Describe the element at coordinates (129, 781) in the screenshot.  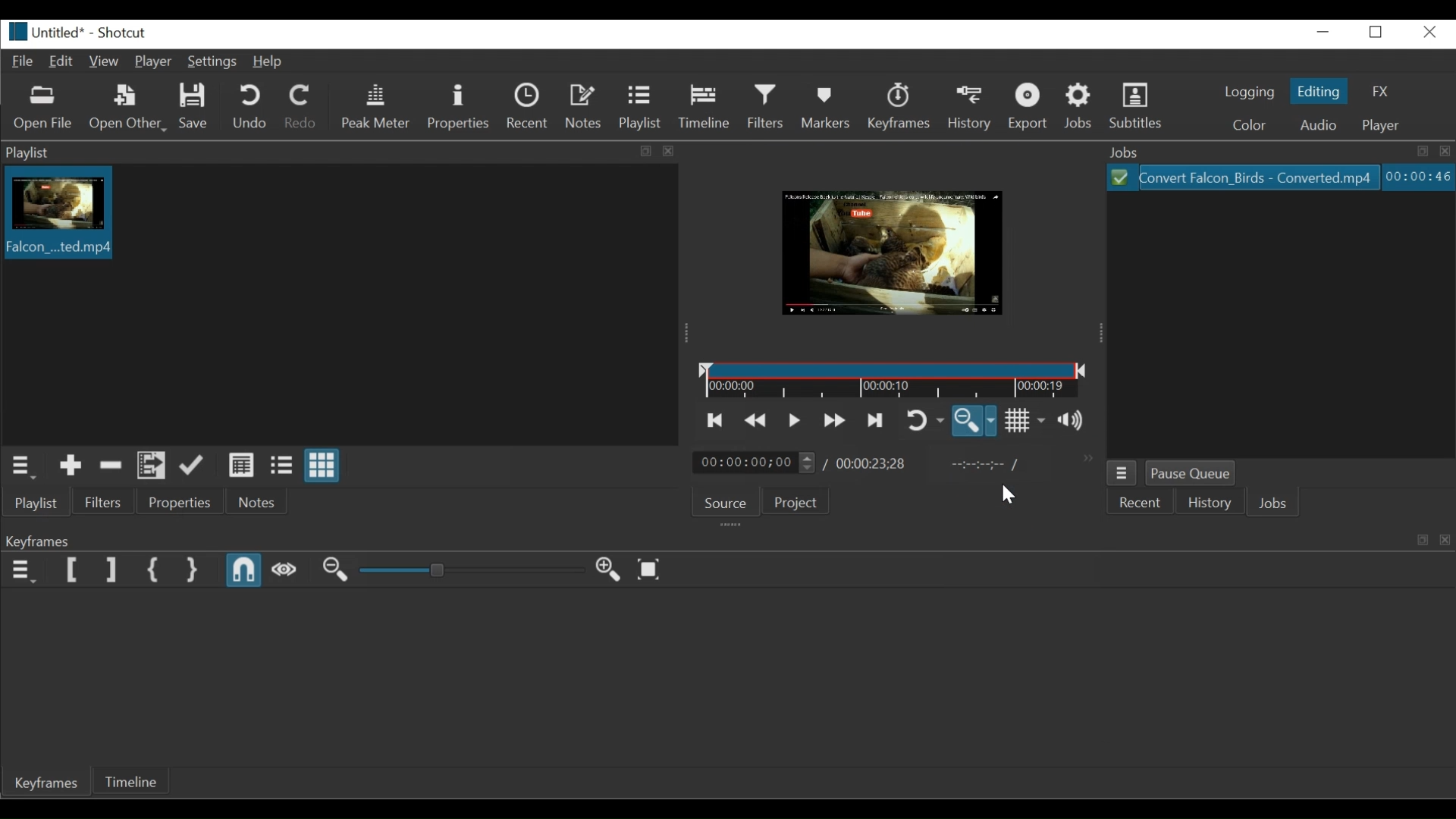
I see `Timeline` at that location.